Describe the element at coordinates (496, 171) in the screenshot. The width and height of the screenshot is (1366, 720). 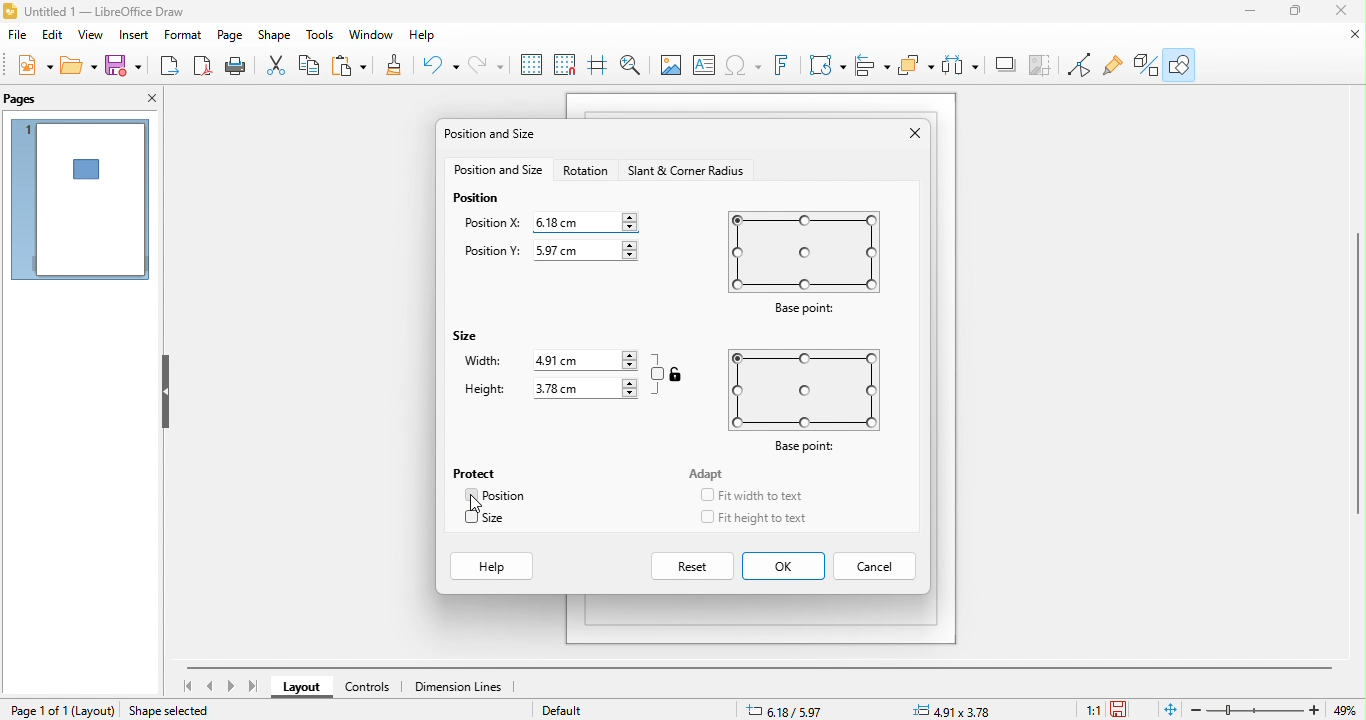
I see `position and size` at that location.